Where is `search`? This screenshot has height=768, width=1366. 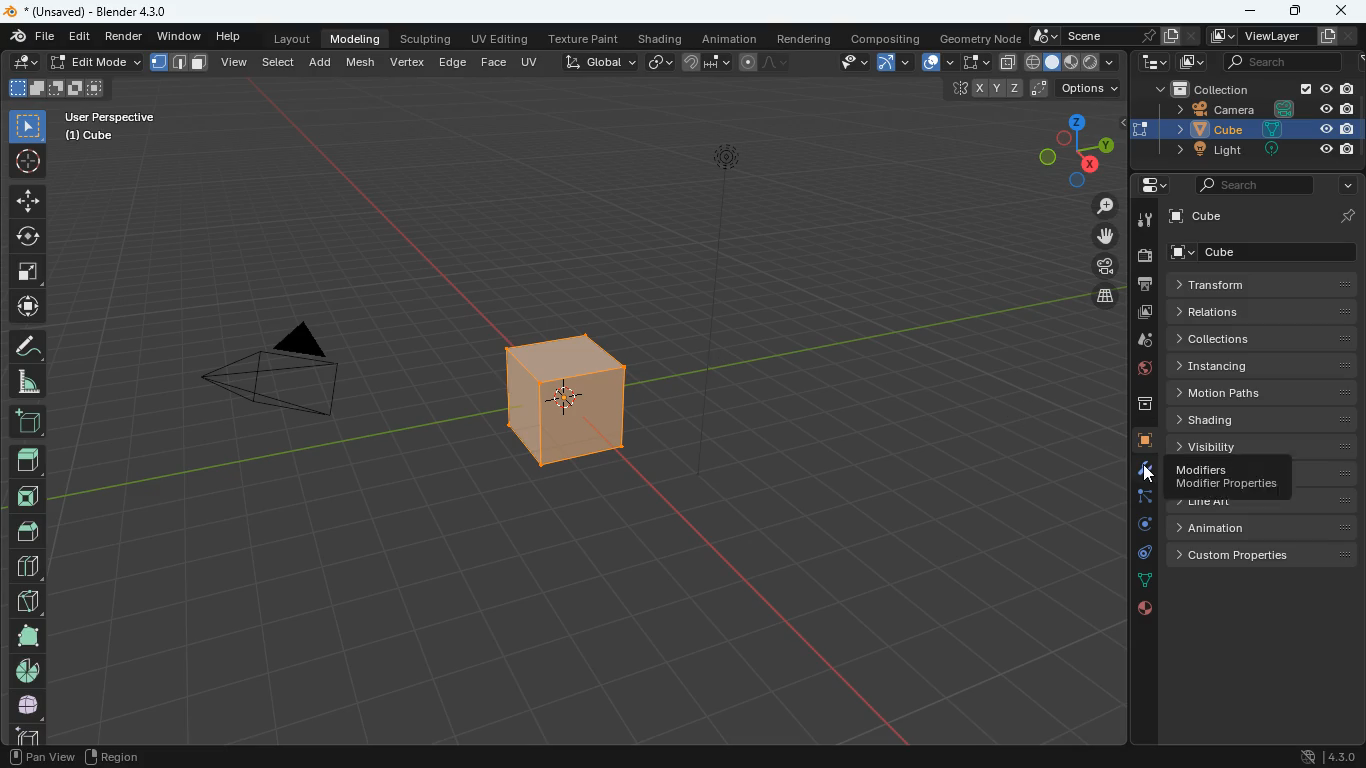
search is located at coordinates (1247, 187).